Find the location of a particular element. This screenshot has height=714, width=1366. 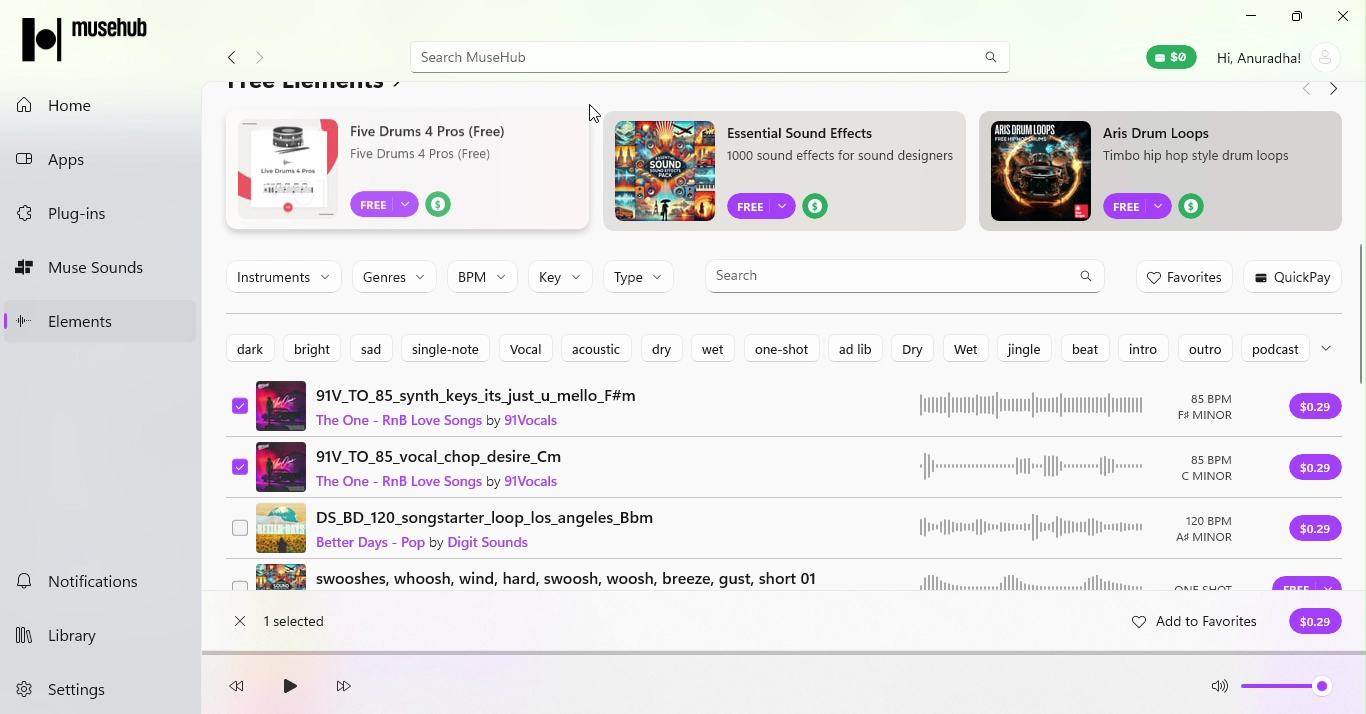

One shot is located at coordinates (781, 348).